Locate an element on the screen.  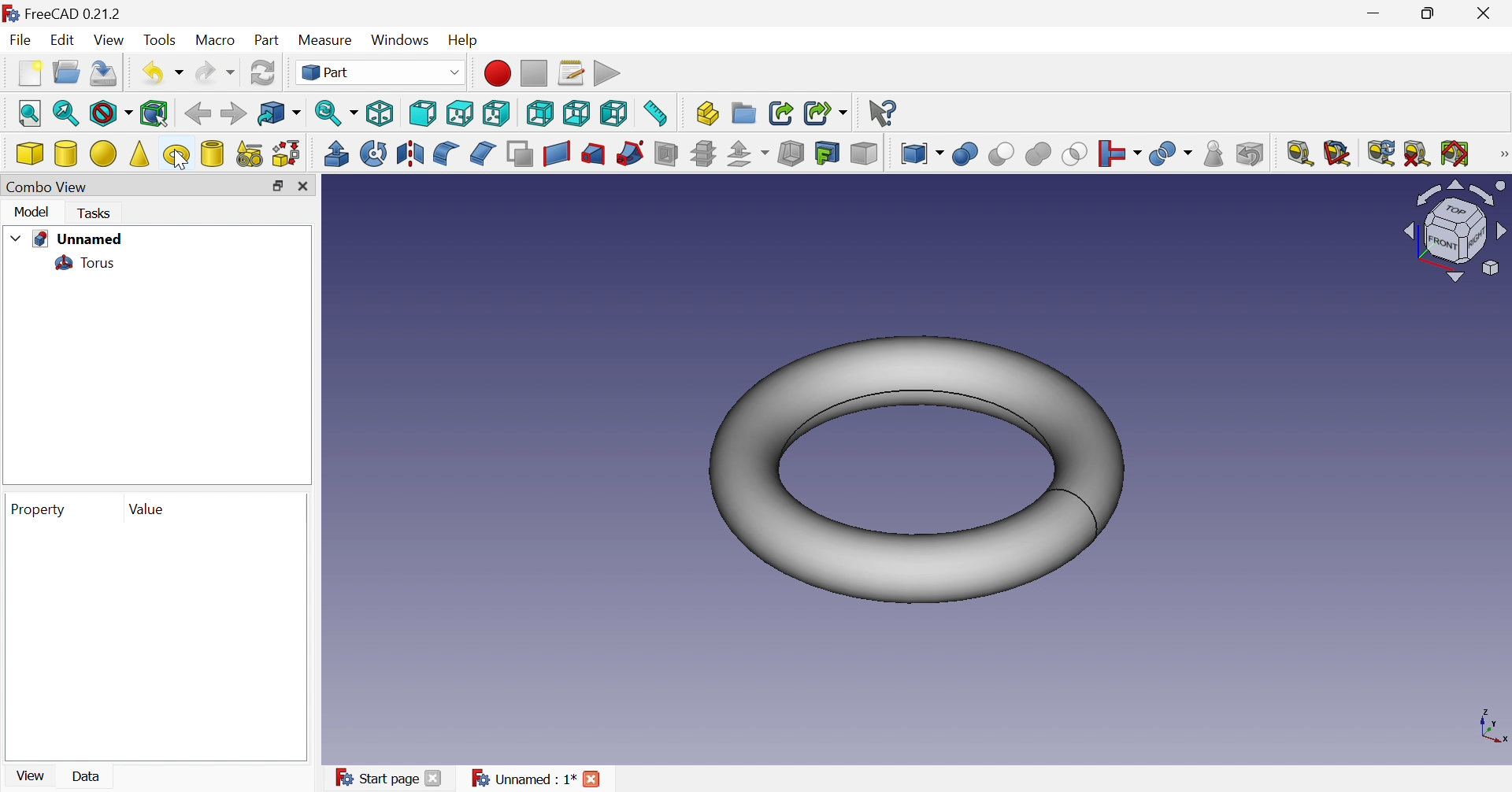
Close is located at coordinates (593, 779).